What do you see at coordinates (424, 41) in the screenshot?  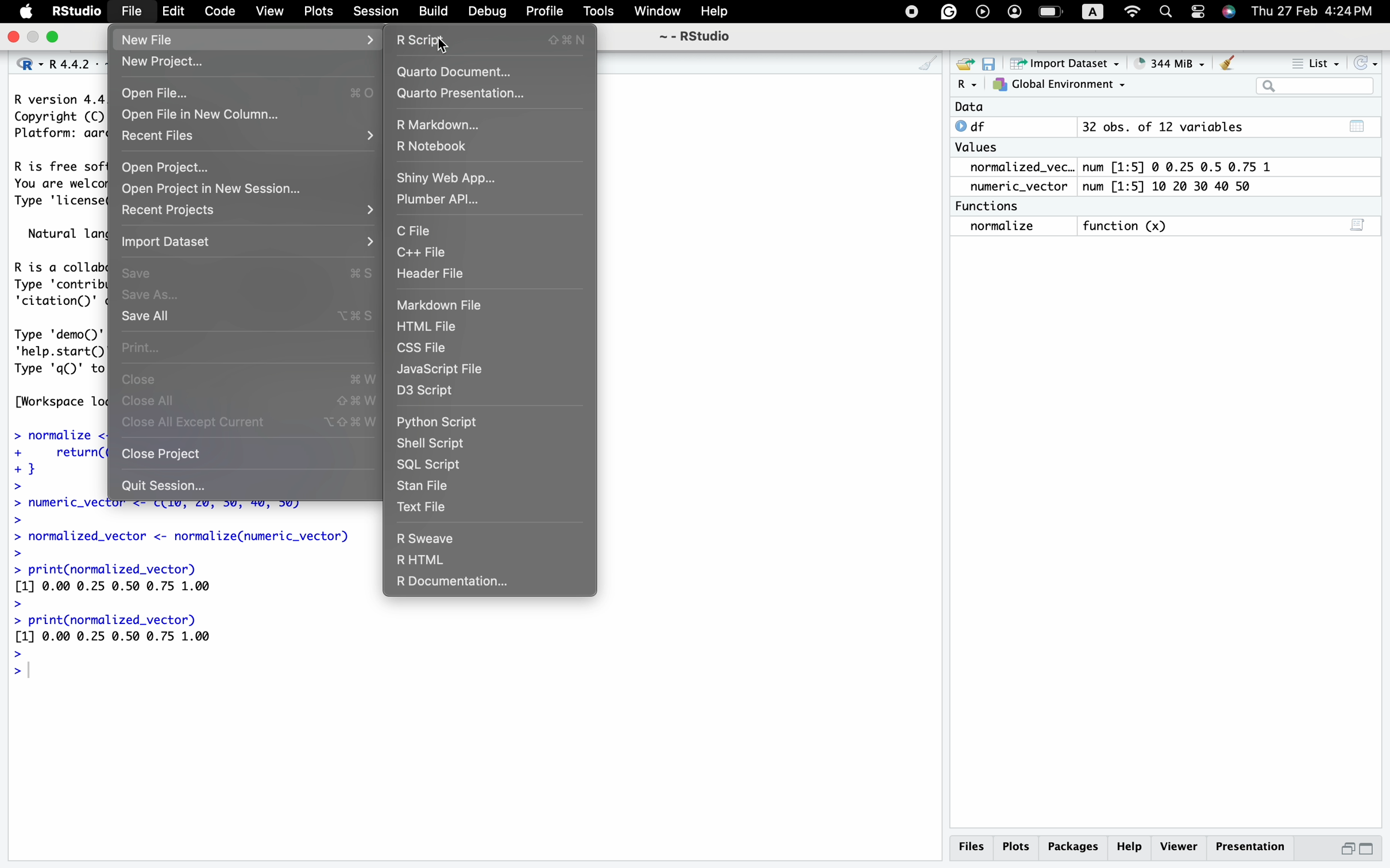 I see `RScript` at bounding box center [424, 41].